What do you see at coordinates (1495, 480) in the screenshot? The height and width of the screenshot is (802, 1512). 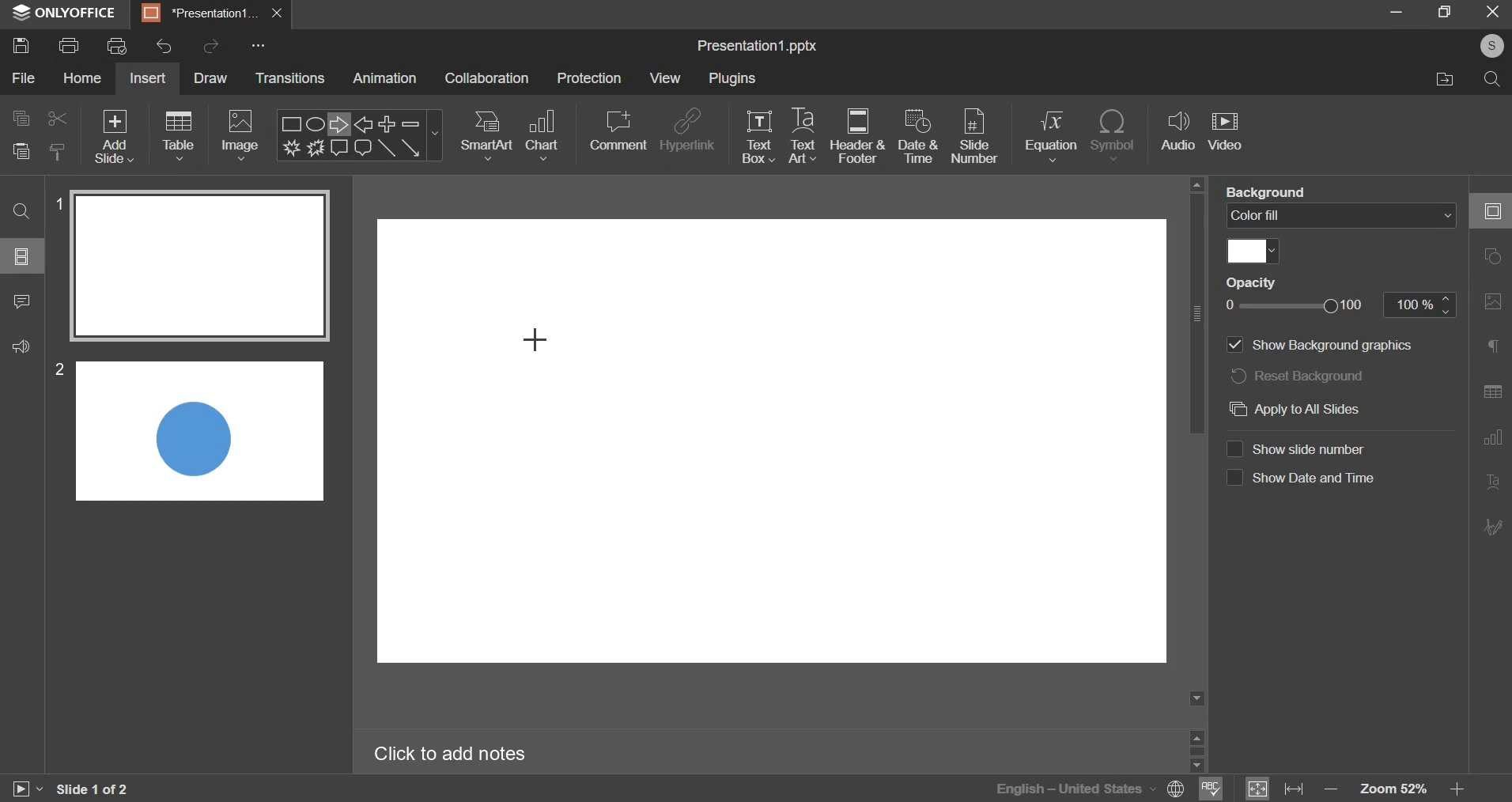 I see `Text Art settings` at bounding box center [1495, 480].